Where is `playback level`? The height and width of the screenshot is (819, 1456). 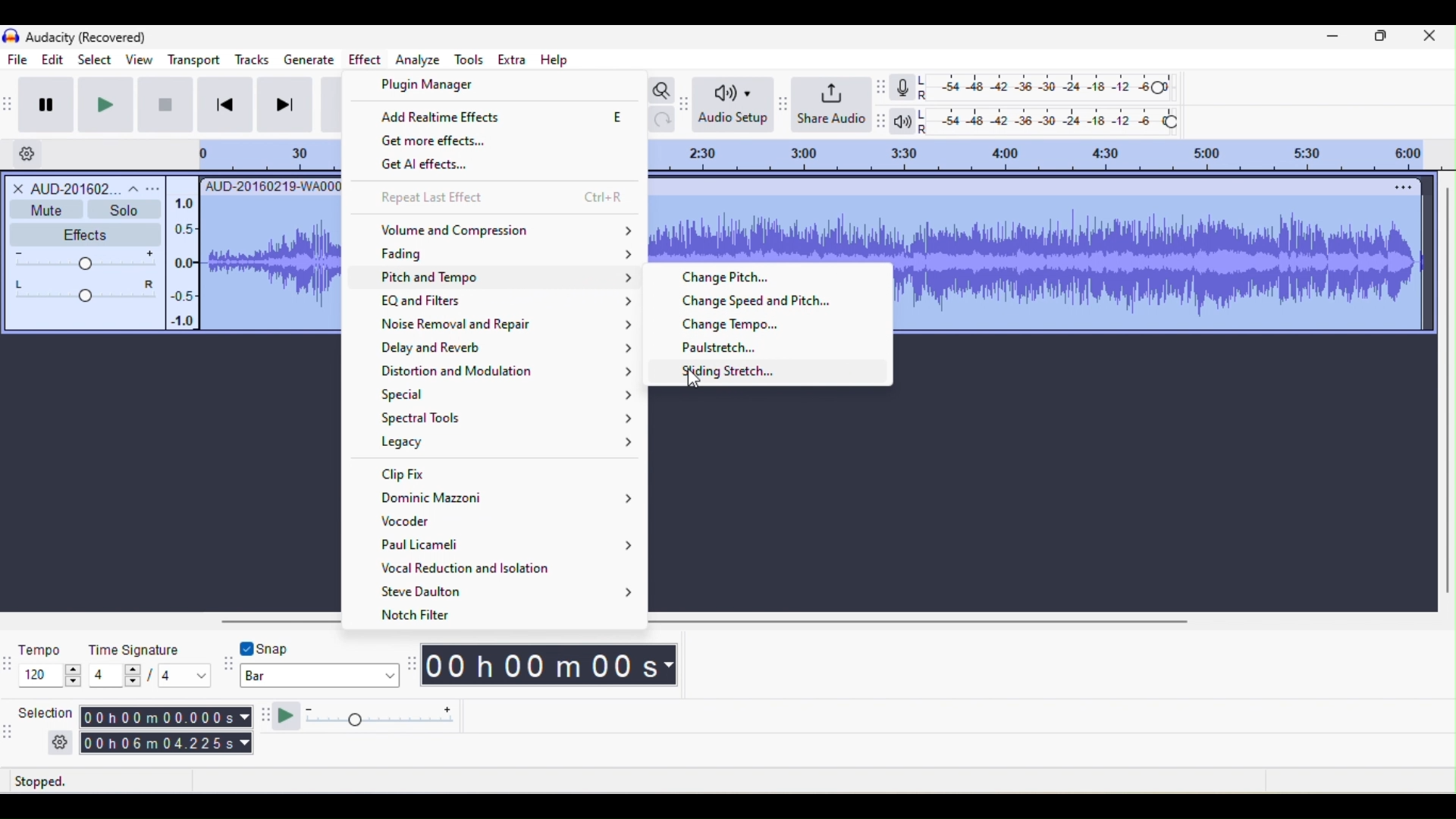 playback level is located at coordinates (1049, 119).